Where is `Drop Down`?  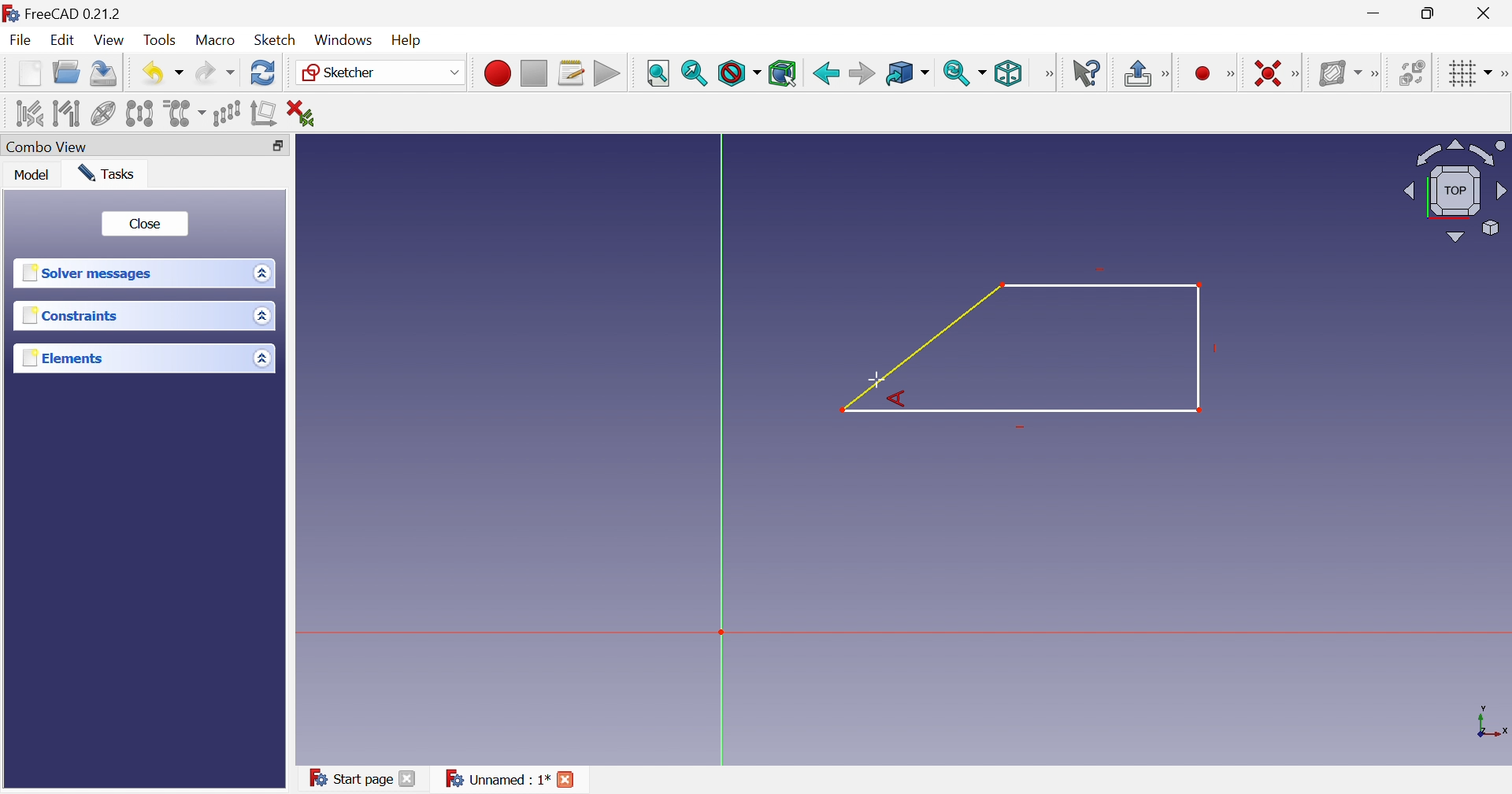 Drop Down is located at coordinates (259, 273).